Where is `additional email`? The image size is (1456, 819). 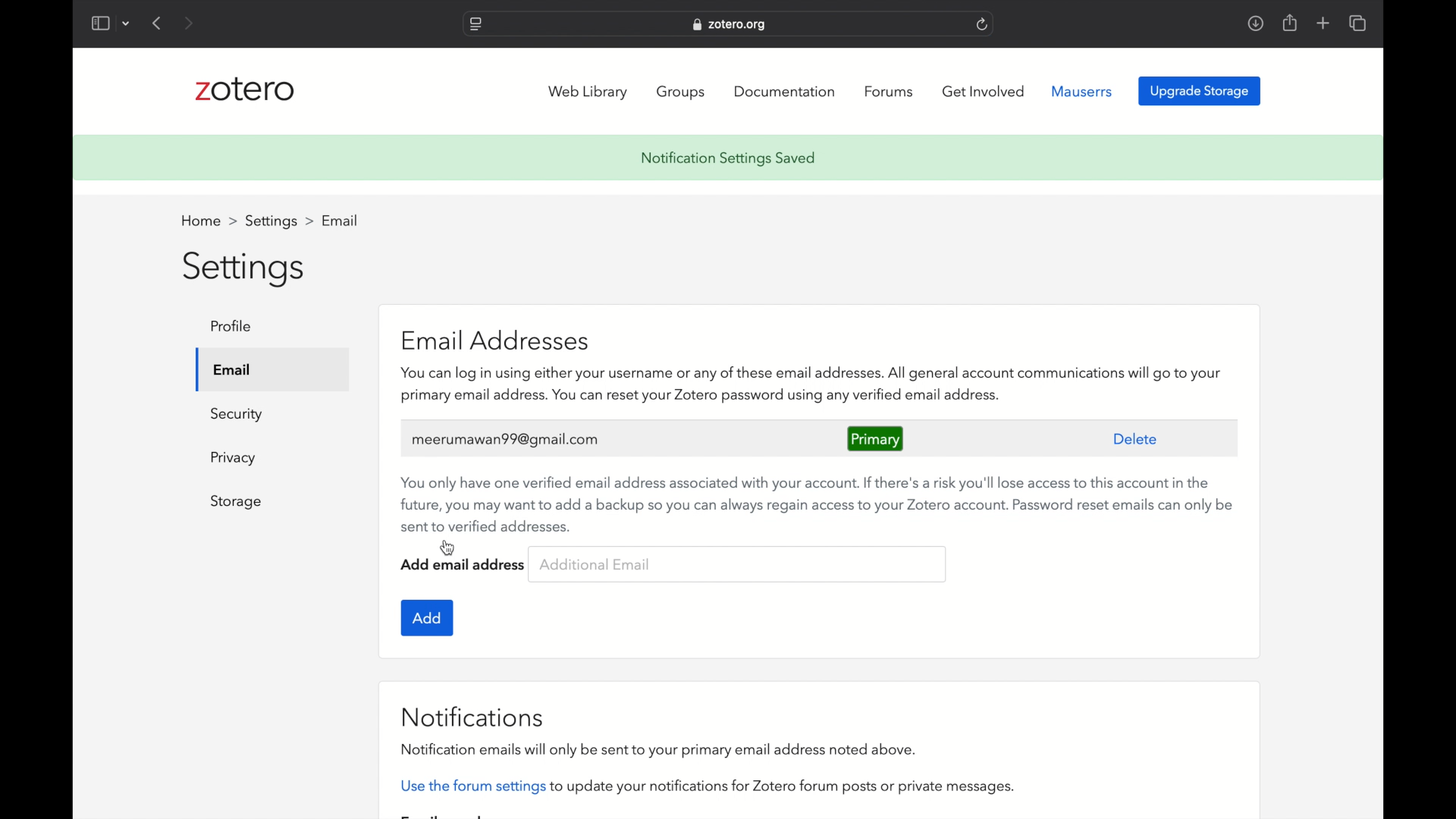
additional email is located at coordinates (595, 565).